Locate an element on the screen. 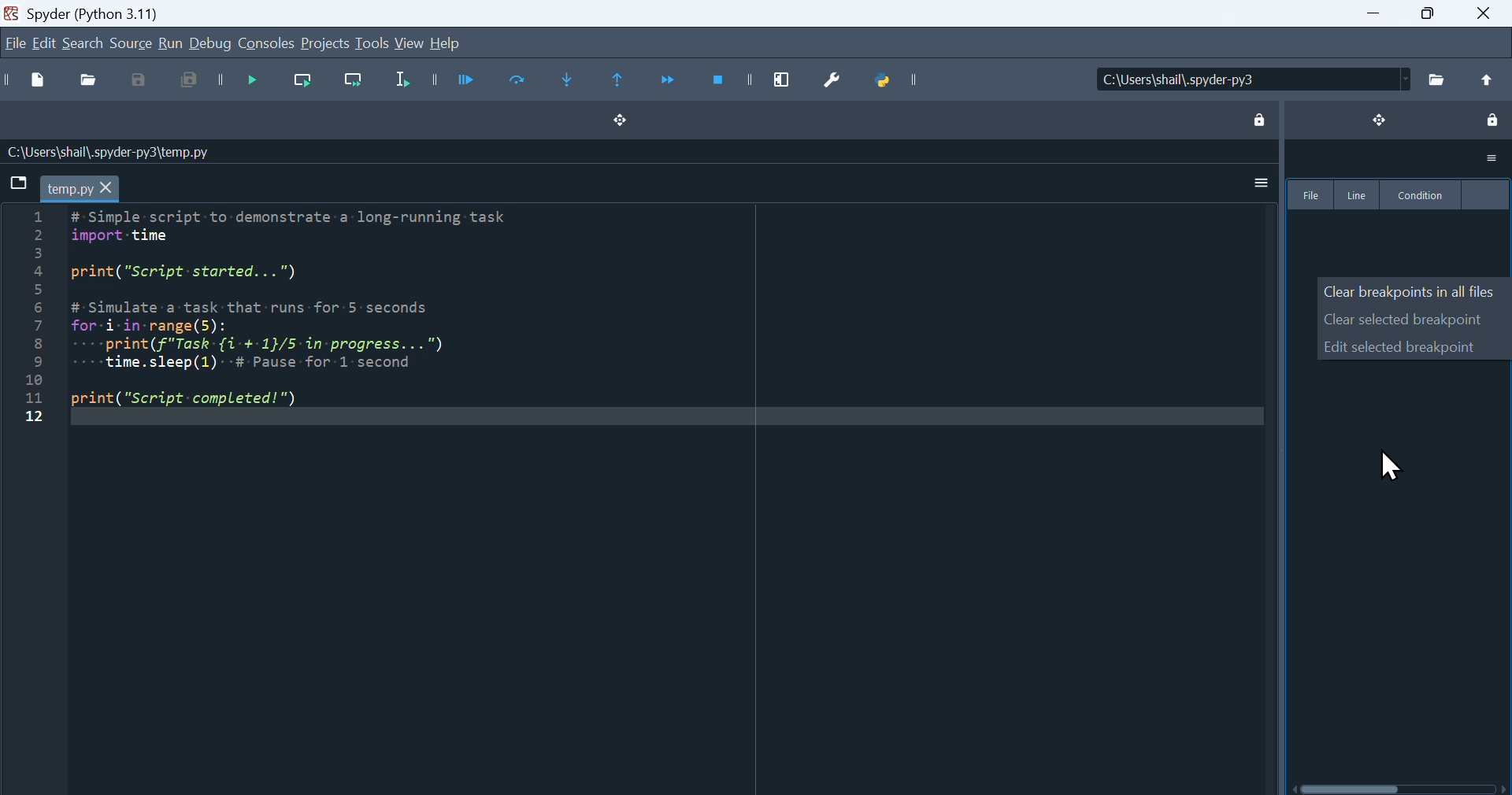  Run current cell is located at coordinates (521, 81).